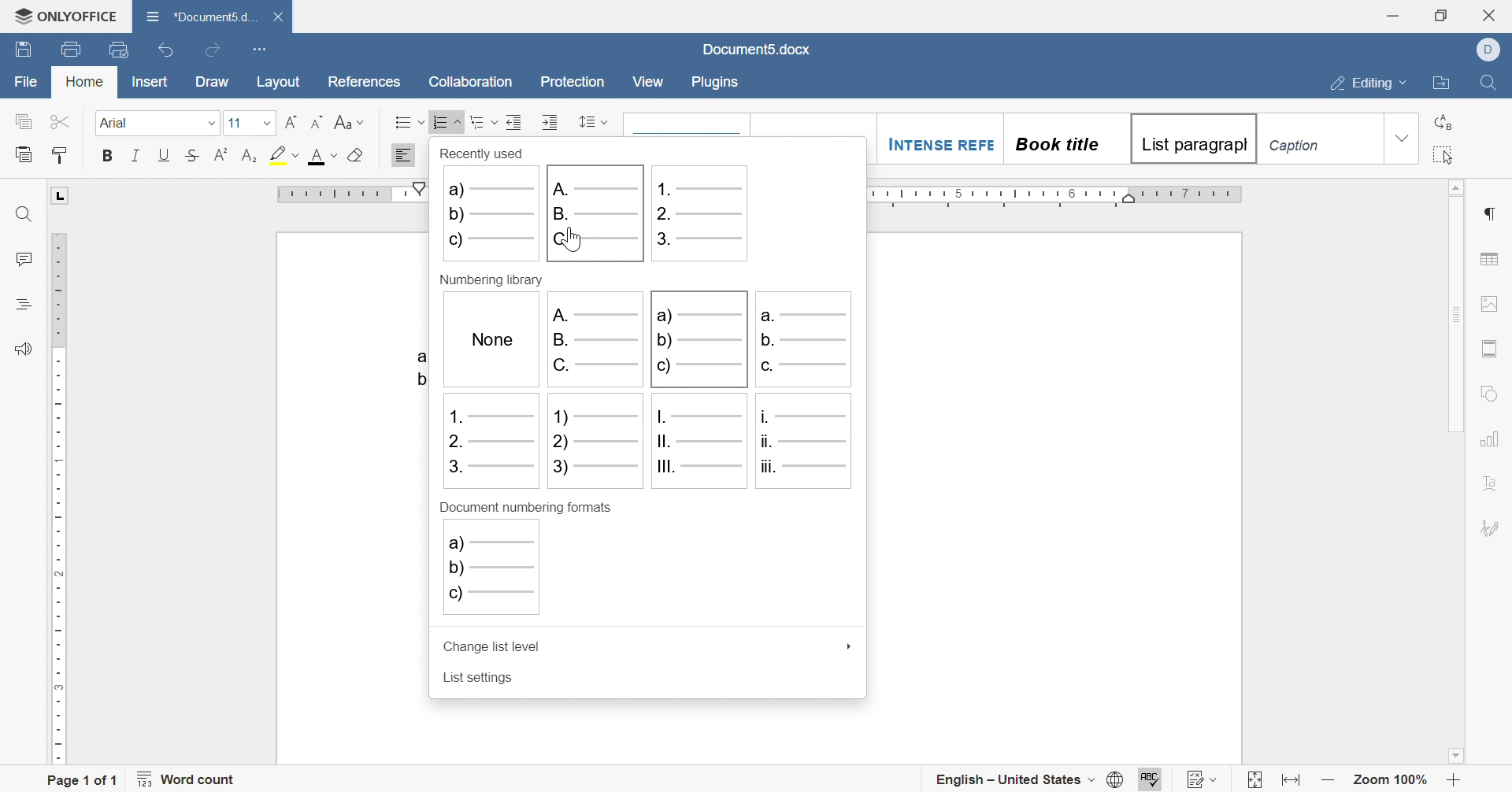  I want to click on redo, so click(213, 50).